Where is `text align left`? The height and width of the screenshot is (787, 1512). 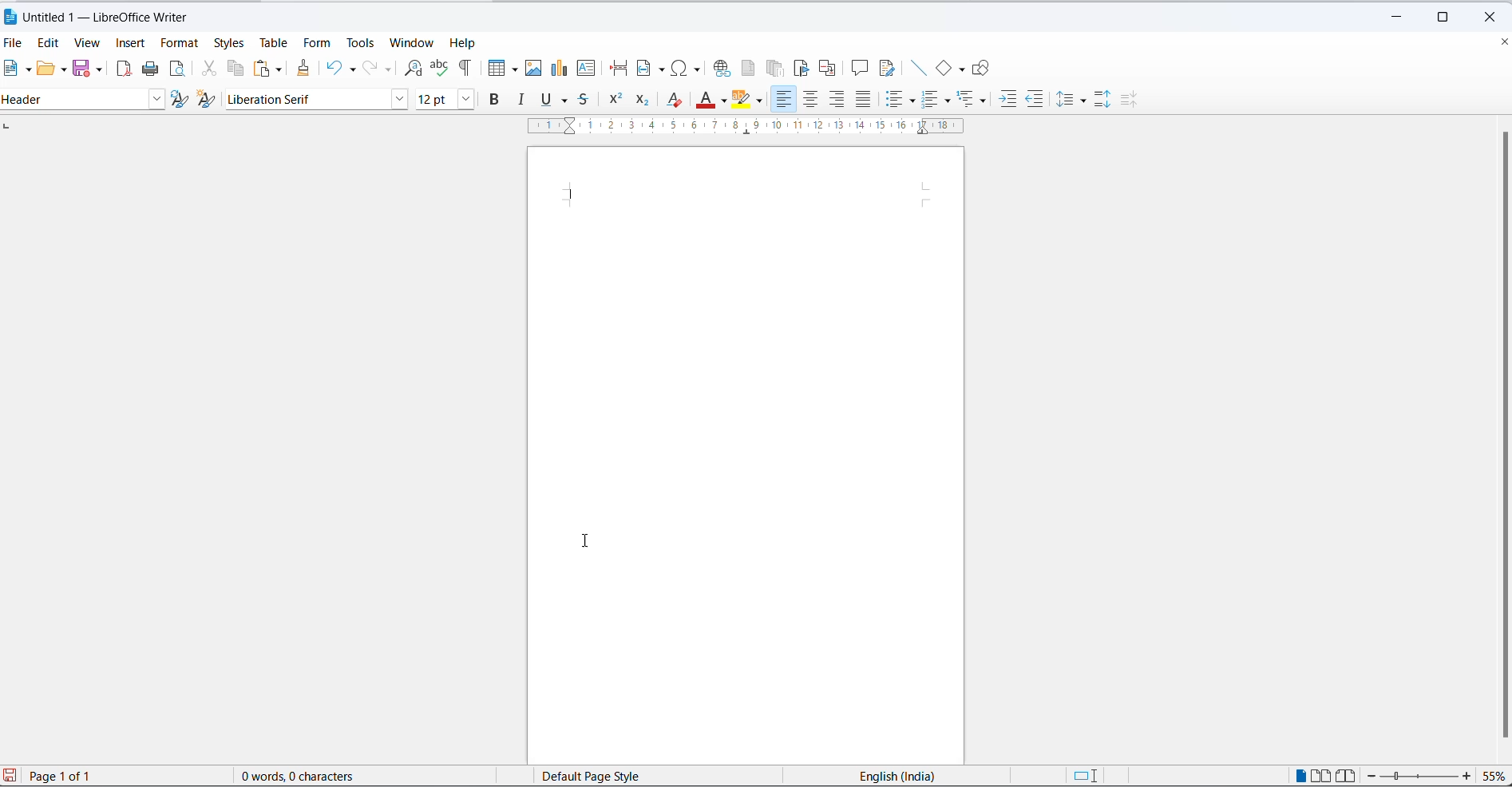
text align left is located at coordinates (836, 99).